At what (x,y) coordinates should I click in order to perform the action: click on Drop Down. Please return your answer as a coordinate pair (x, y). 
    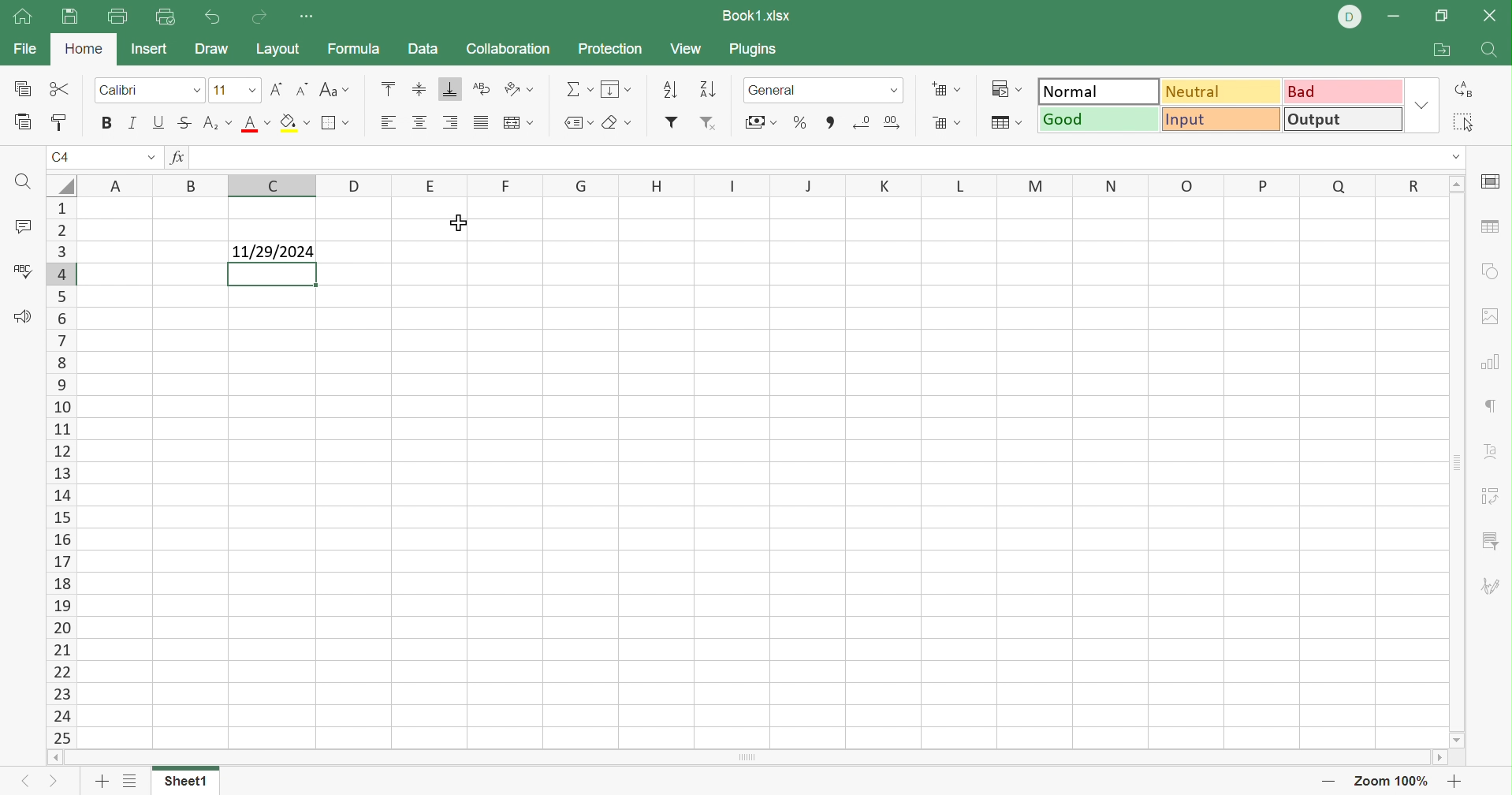
    Looking at the image, I should click on (897, 93).